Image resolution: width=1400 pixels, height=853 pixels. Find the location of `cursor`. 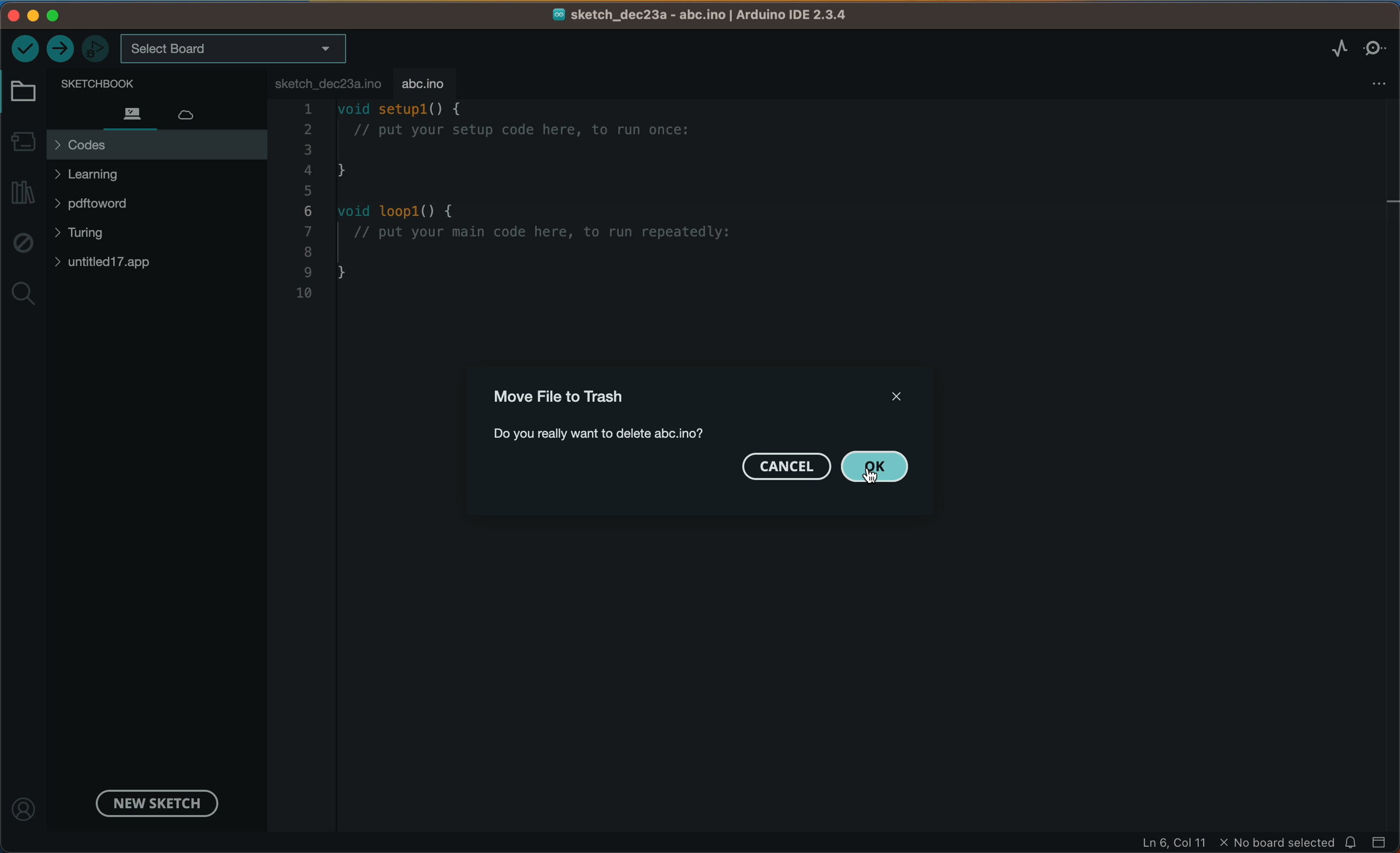

cursor is located at coordinates (882, 474).